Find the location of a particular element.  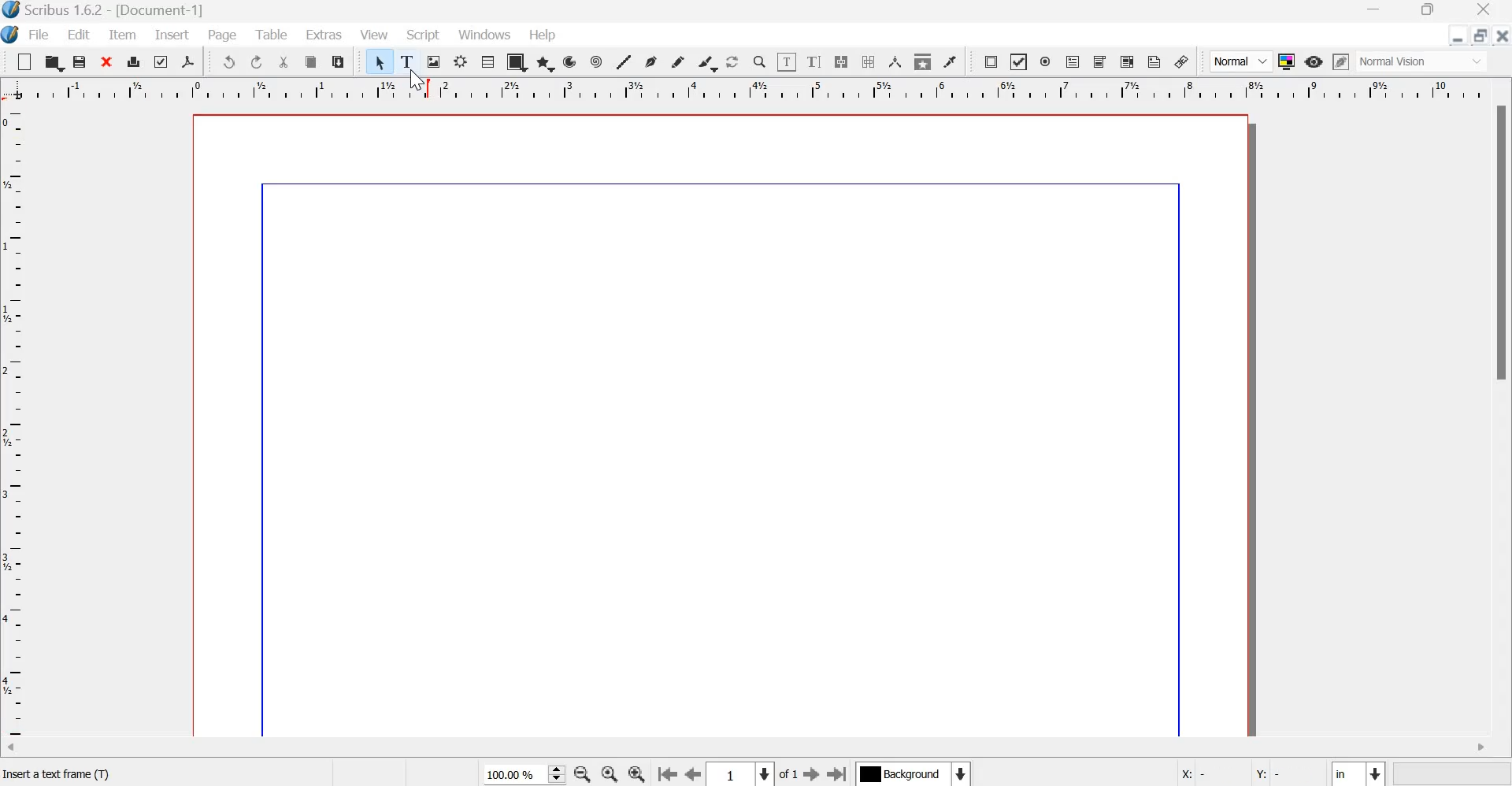

Scrollbar is located at coordinates (1503, 244).